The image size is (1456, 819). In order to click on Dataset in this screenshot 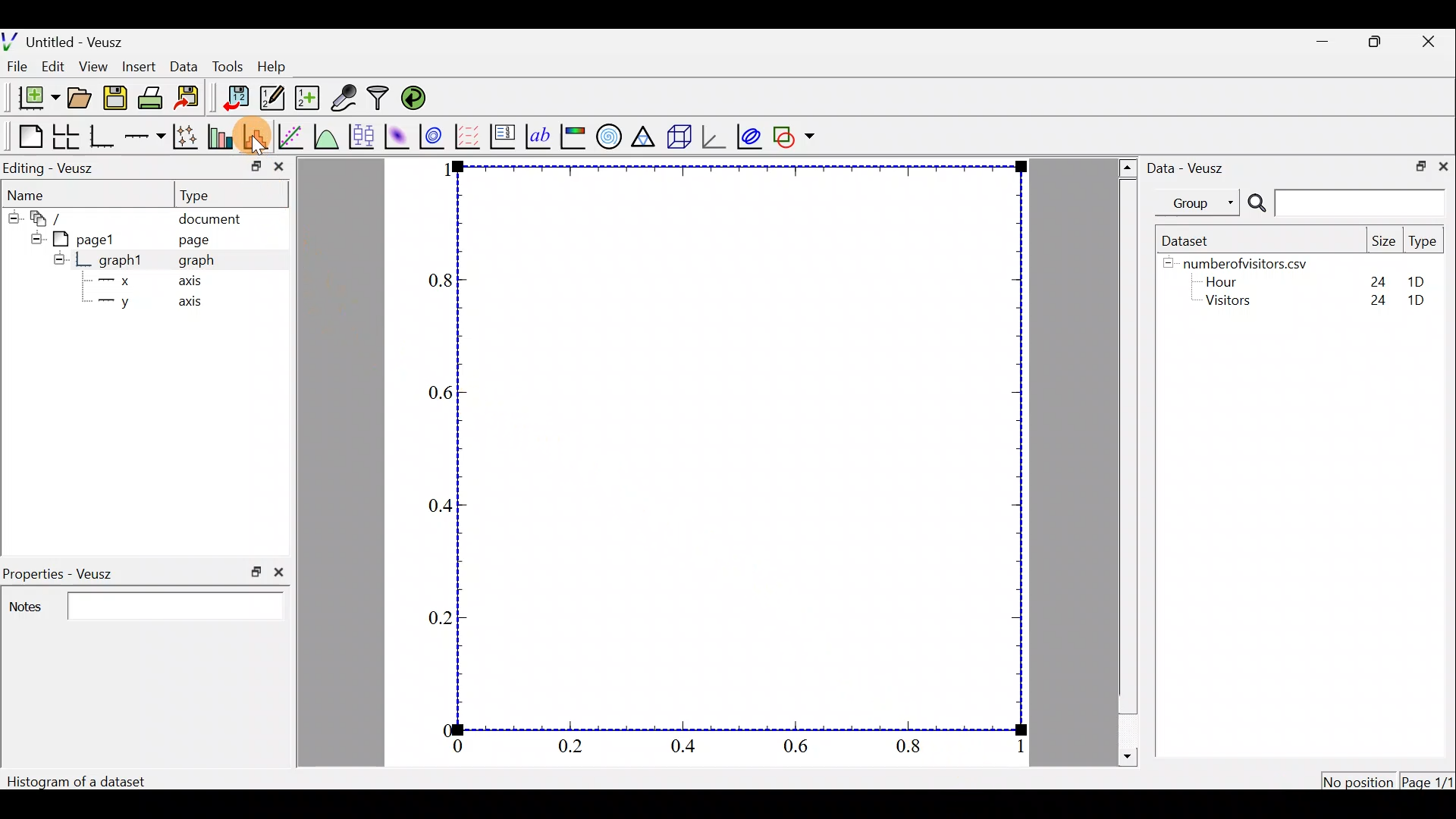, I will do `click(1195, 240)`.